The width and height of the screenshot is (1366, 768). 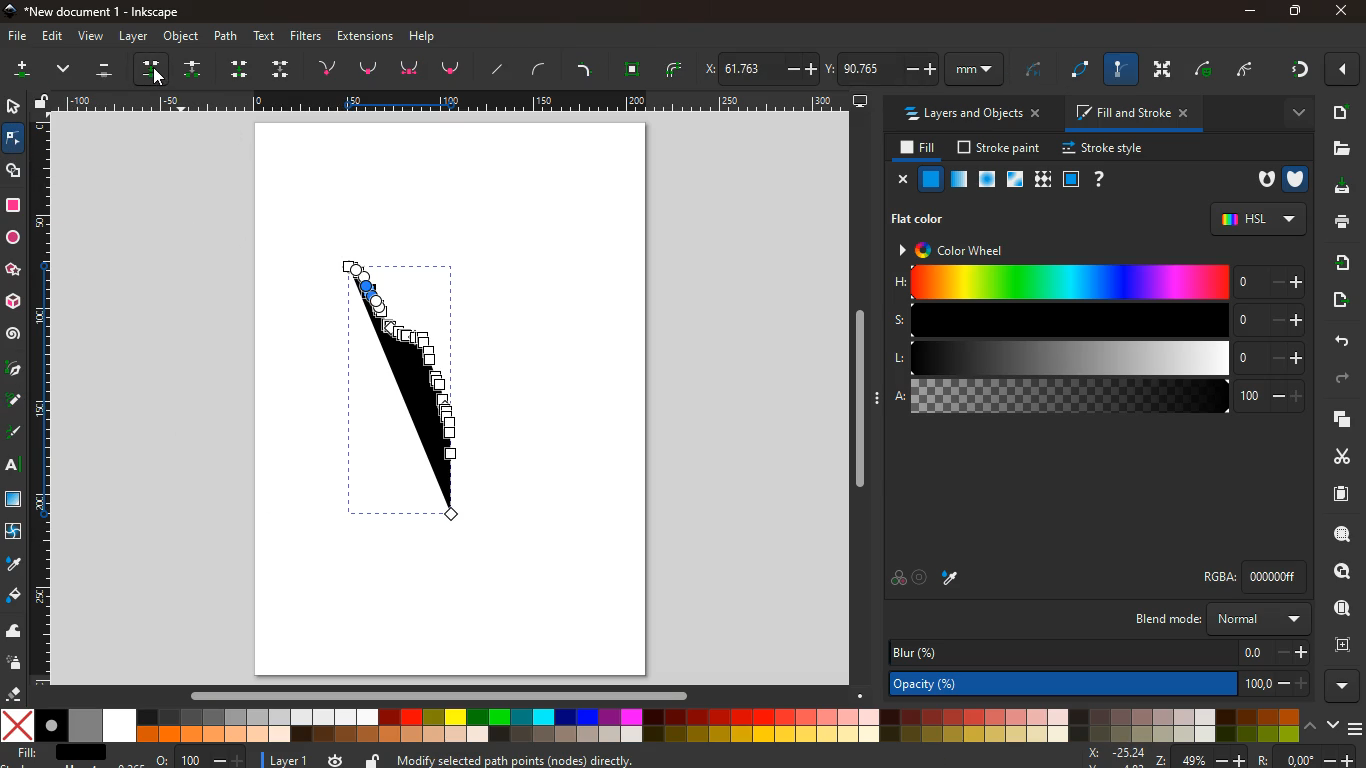 What do you see at coordinates (1343, 609) in the screenshot?
I see `use` at bounding box center [1343, 609].